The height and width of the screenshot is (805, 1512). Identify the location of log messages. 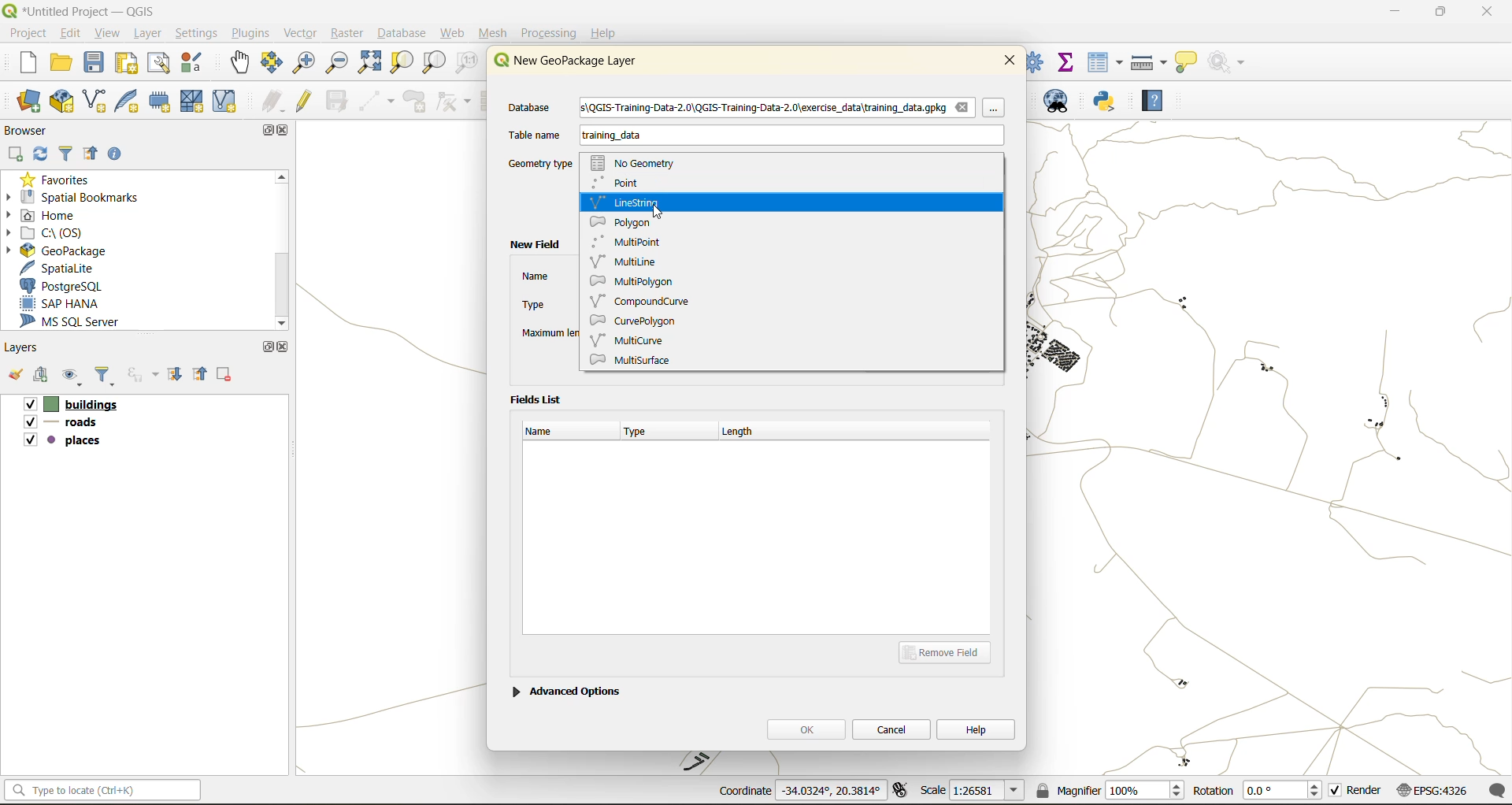
(1499, 790).